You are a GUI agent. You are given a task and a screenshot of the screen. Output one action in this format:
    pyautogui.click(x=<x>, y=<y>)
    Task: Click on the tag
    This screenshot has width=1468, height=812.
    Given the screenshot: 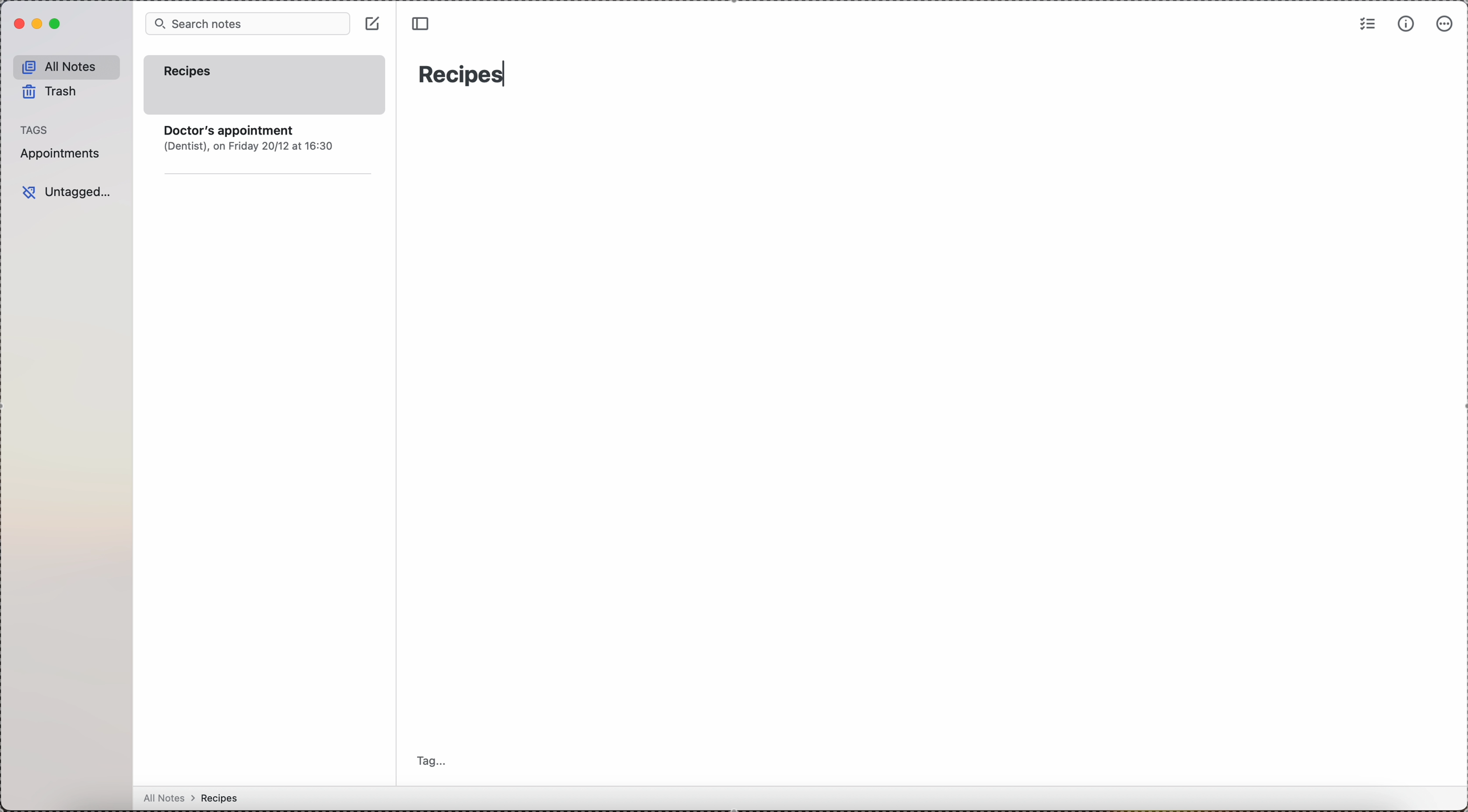 What is the action you would take?
    pyautogui.click(x=437, y=761)
    